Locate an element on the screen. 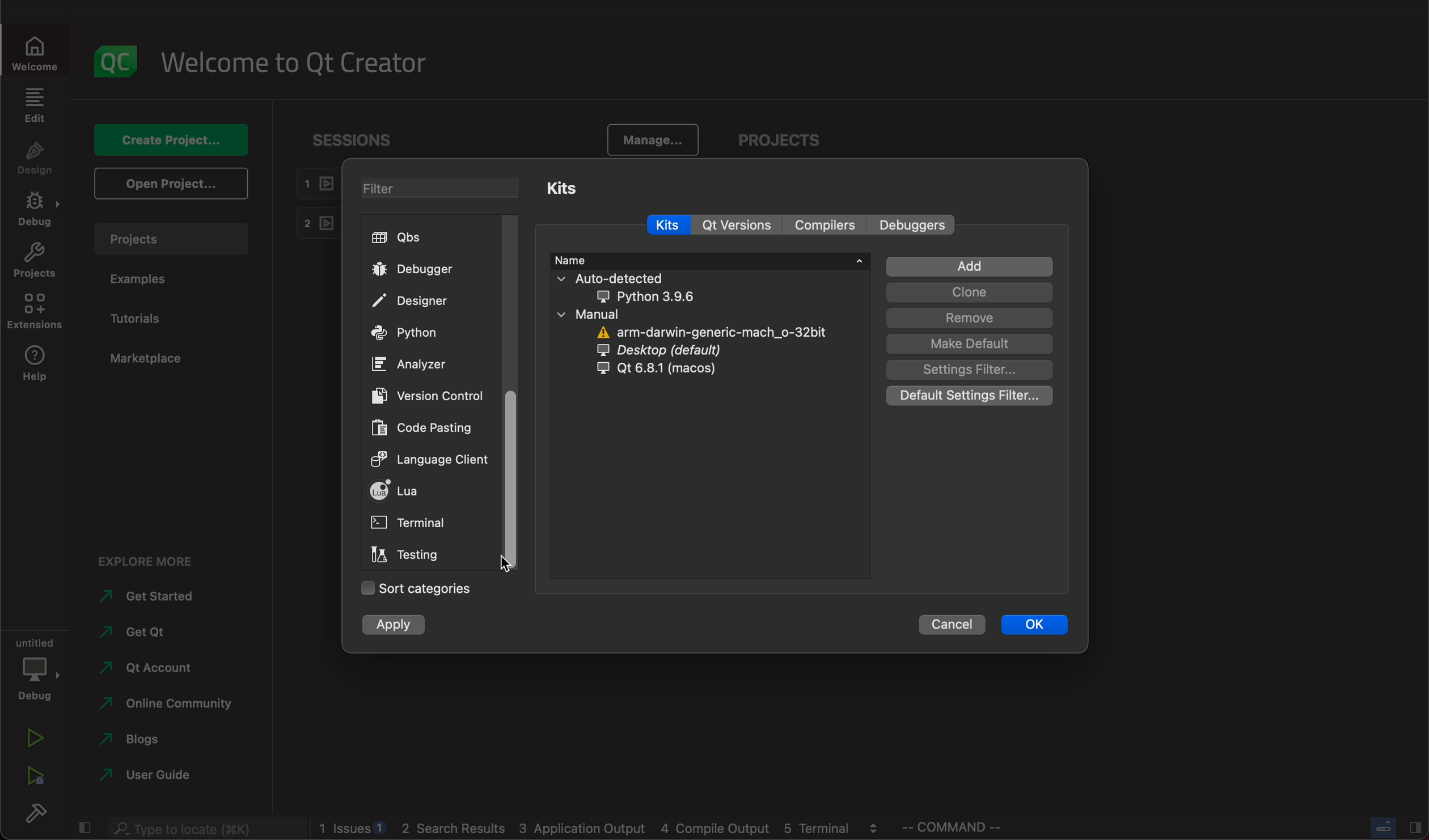  manual is located at coordinates (603, 315).